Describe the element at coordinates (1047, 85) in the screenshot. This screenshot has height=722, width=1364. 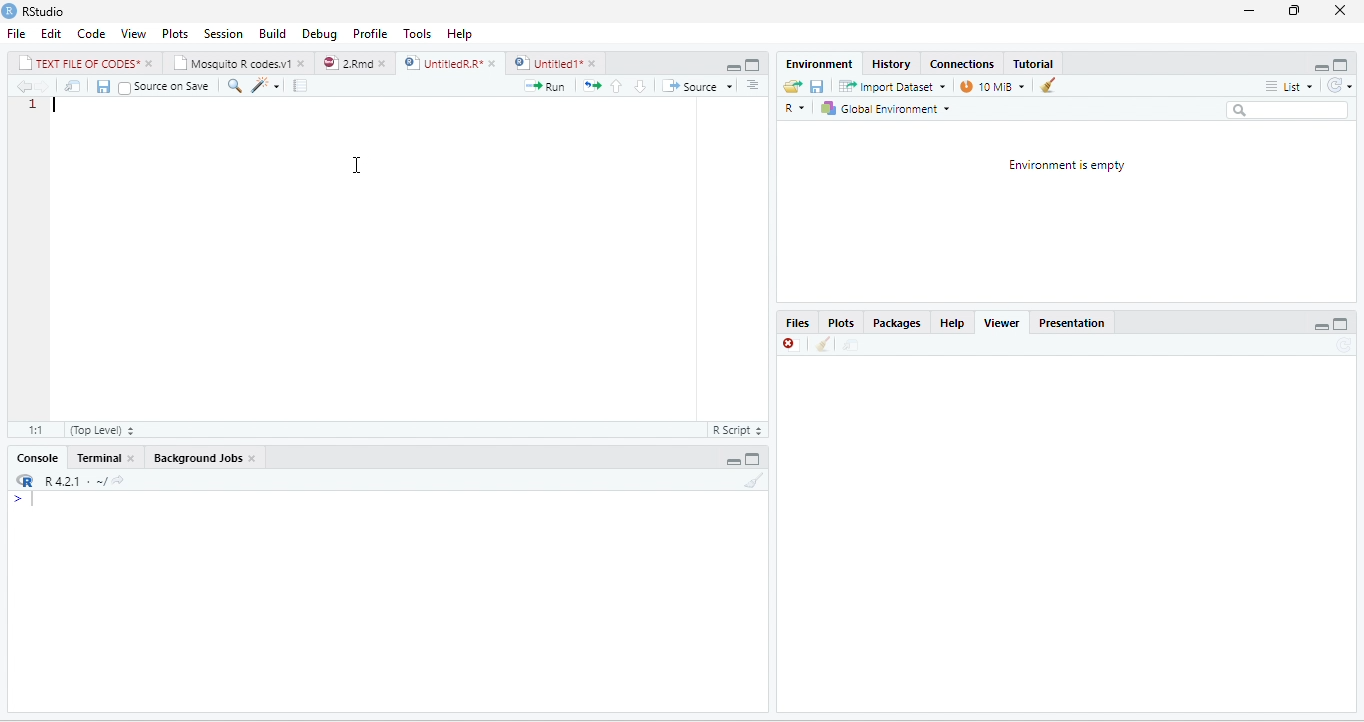
I see `clear` at that location.